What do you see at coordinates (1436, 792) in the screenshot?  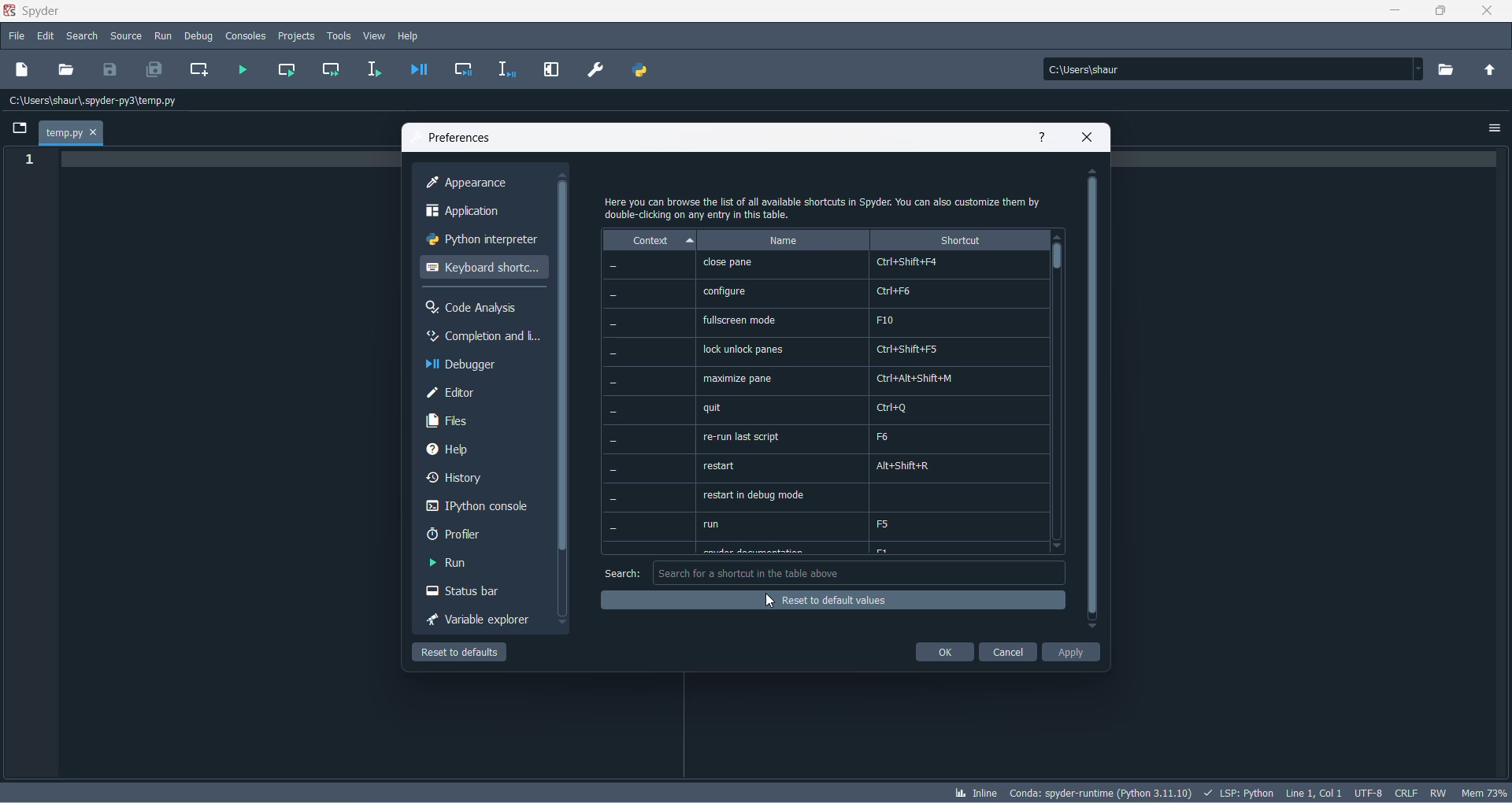 I see `file control` at bounding box center [1436, 792].